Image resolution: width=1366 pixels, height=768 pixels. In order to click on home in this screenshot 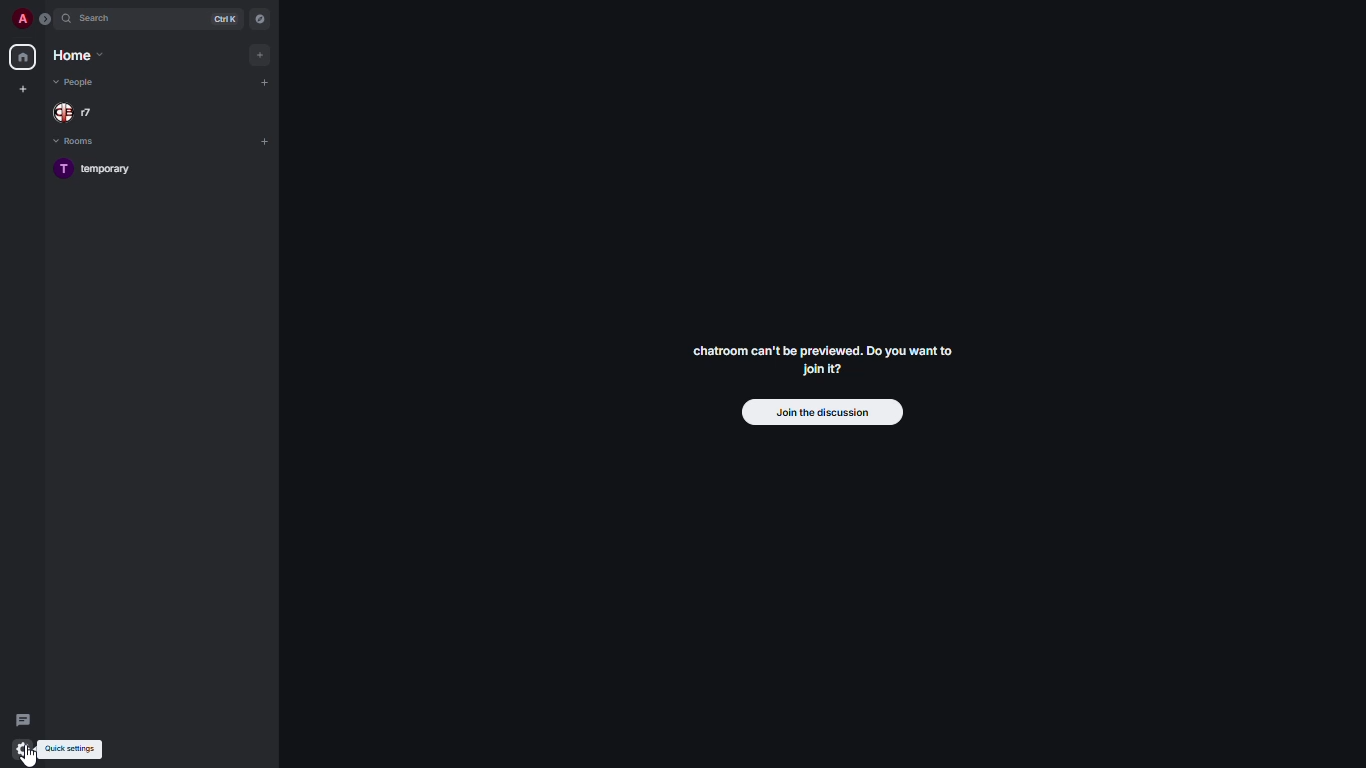, I will do `click(22, 57)`.